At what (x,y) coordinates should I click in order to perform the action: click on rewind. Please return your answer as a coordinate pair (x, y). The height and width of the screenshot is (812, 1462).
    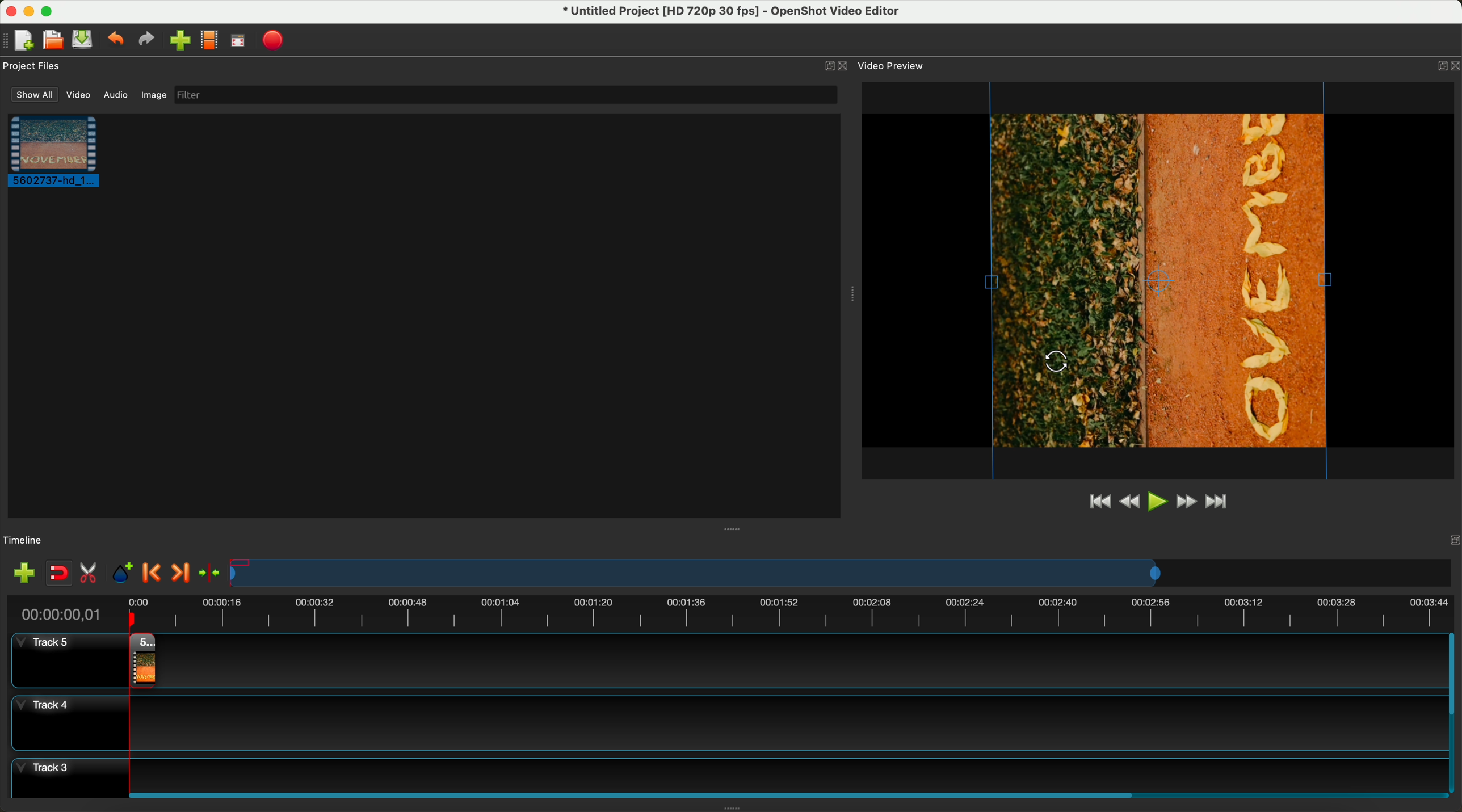
    Looking at the image, I should click on (1128, 504).